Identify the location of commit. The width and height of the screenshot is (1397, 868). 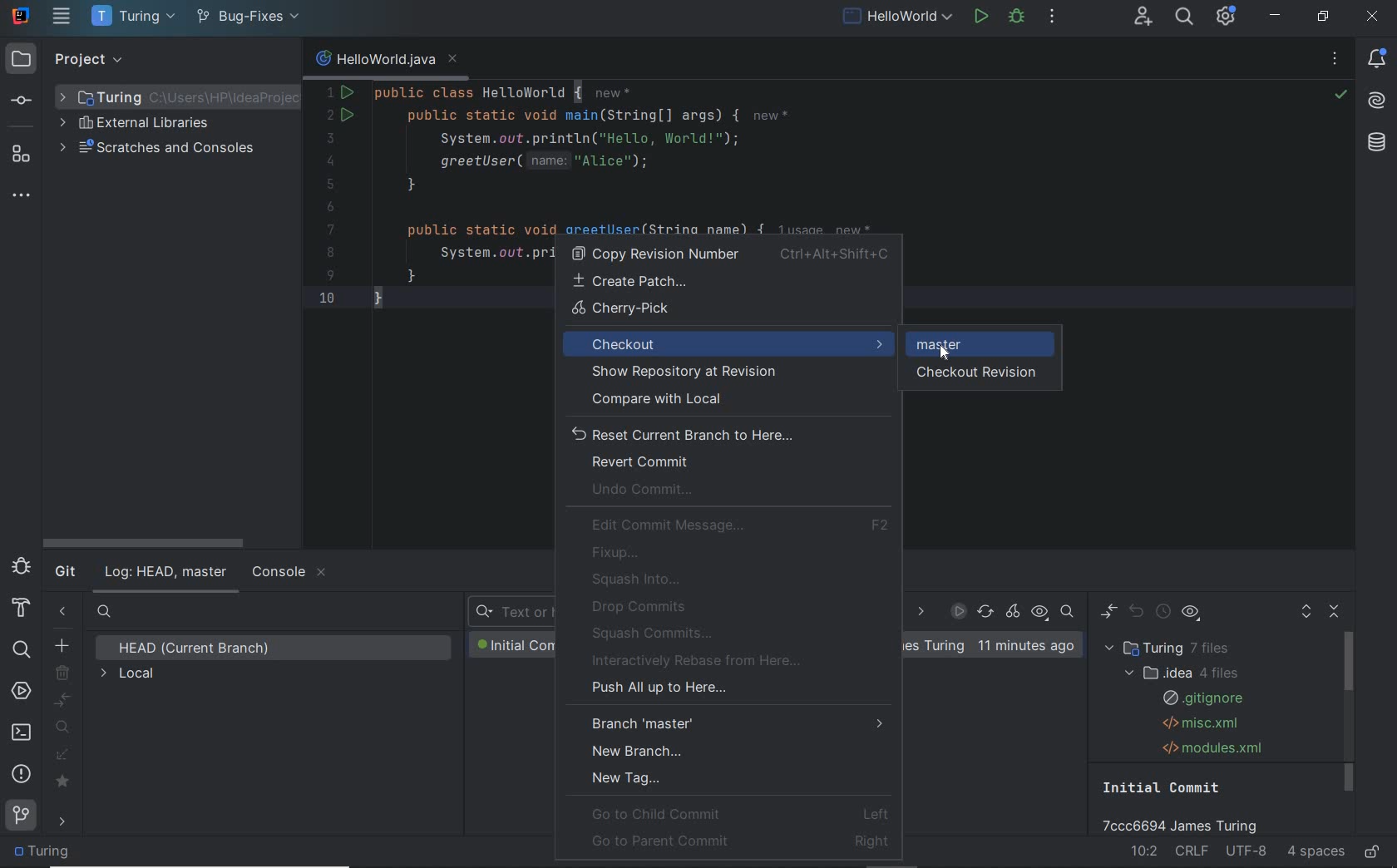
(24, 101).